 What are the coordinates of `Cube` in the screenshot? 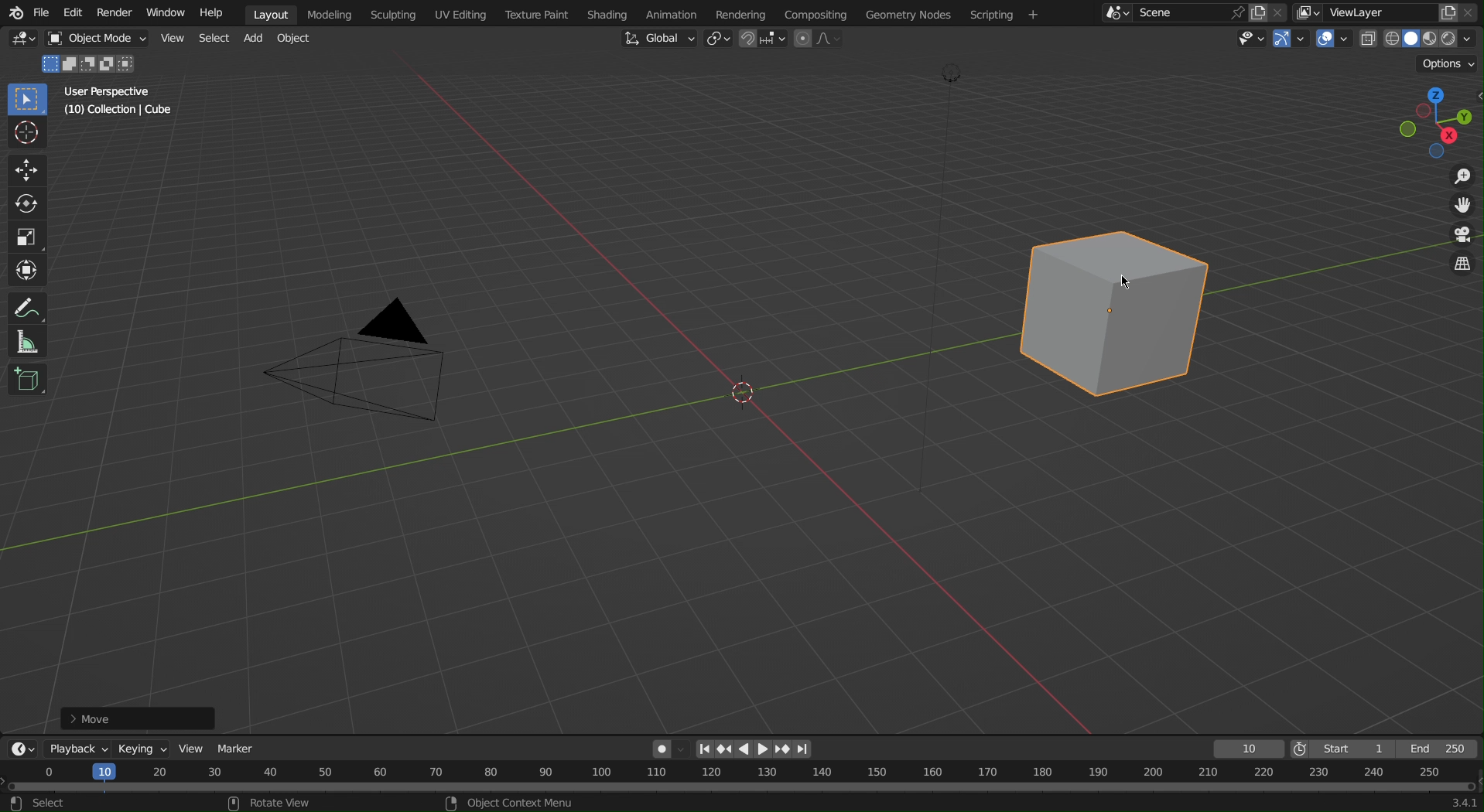 It's located at (27, 382).